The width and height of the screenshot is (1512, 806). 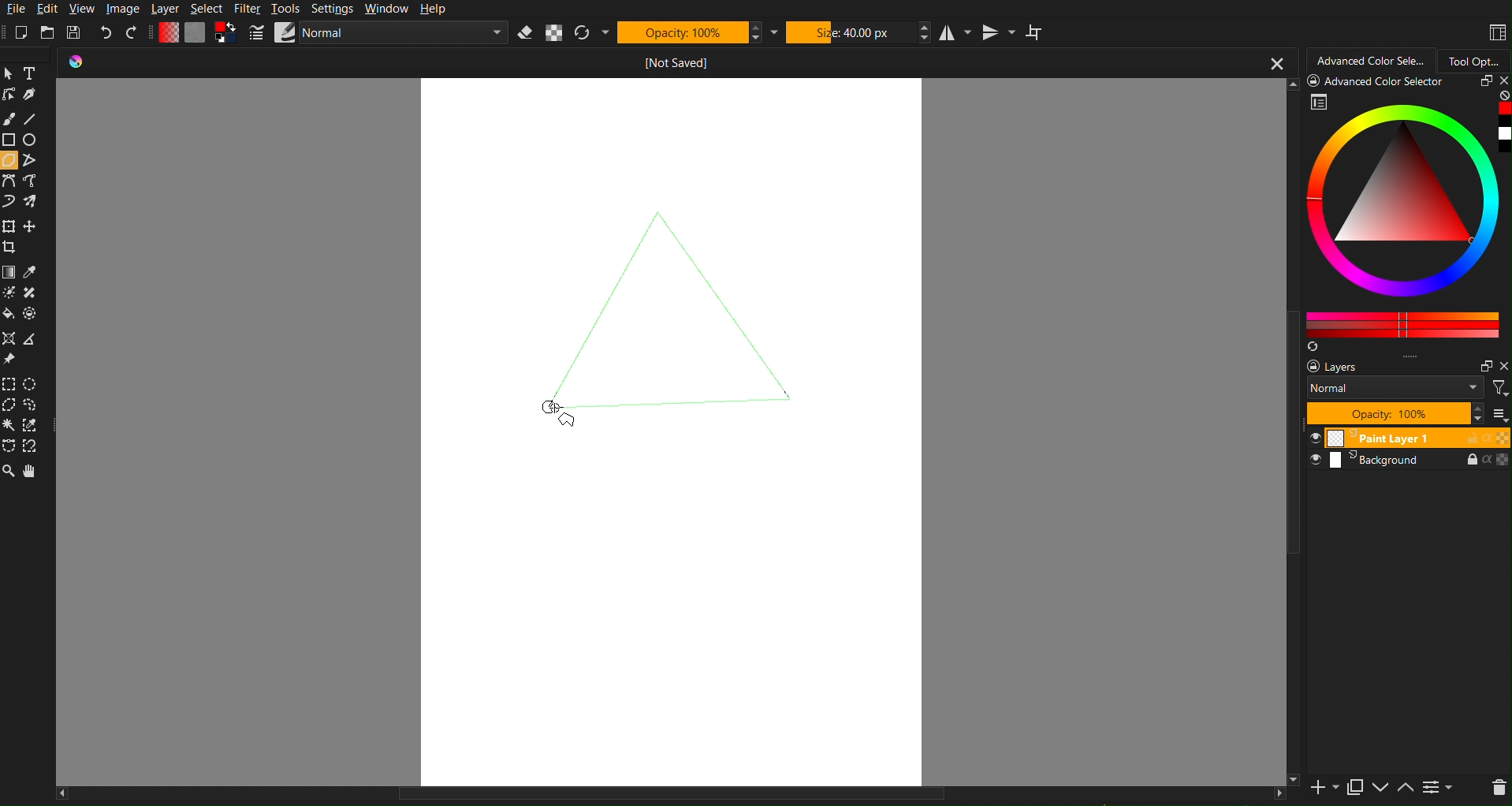 I want to click on File, so click(x=20, y=9).